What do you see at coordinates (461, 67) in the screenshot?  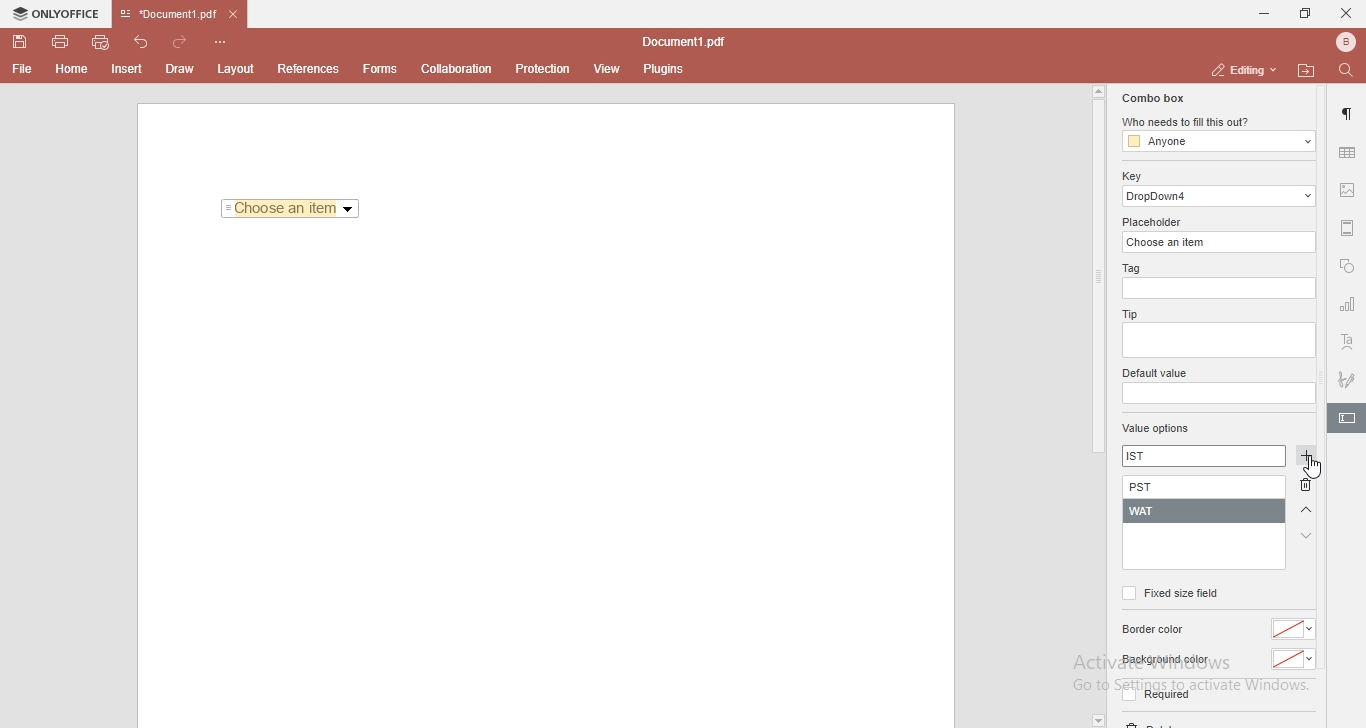 I see `collaboration` at bounding box center [461, 67].